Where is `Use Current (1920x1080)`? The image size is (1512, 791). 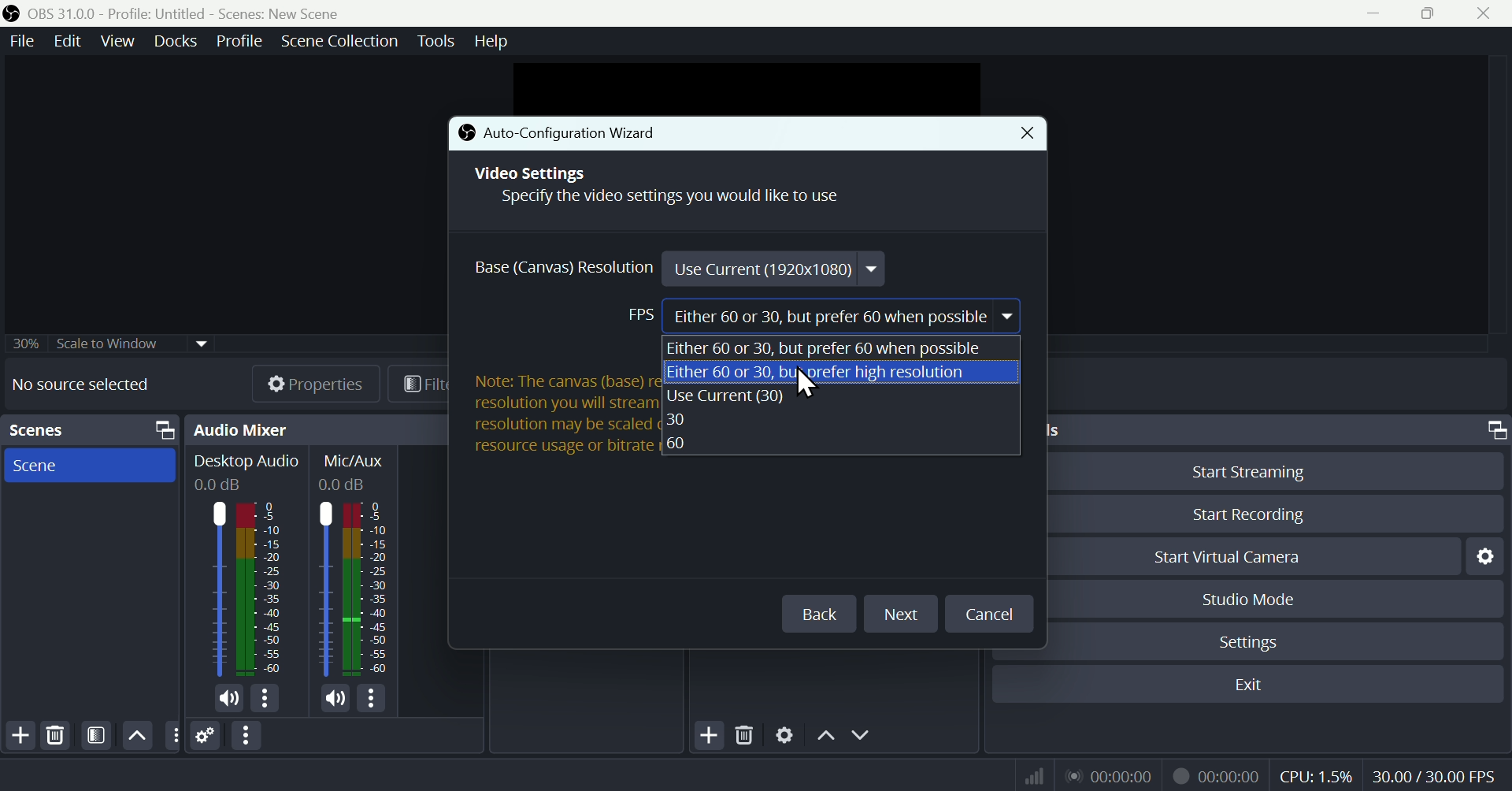
Use Current (1920x1080) is located at coordinates (774, 269).